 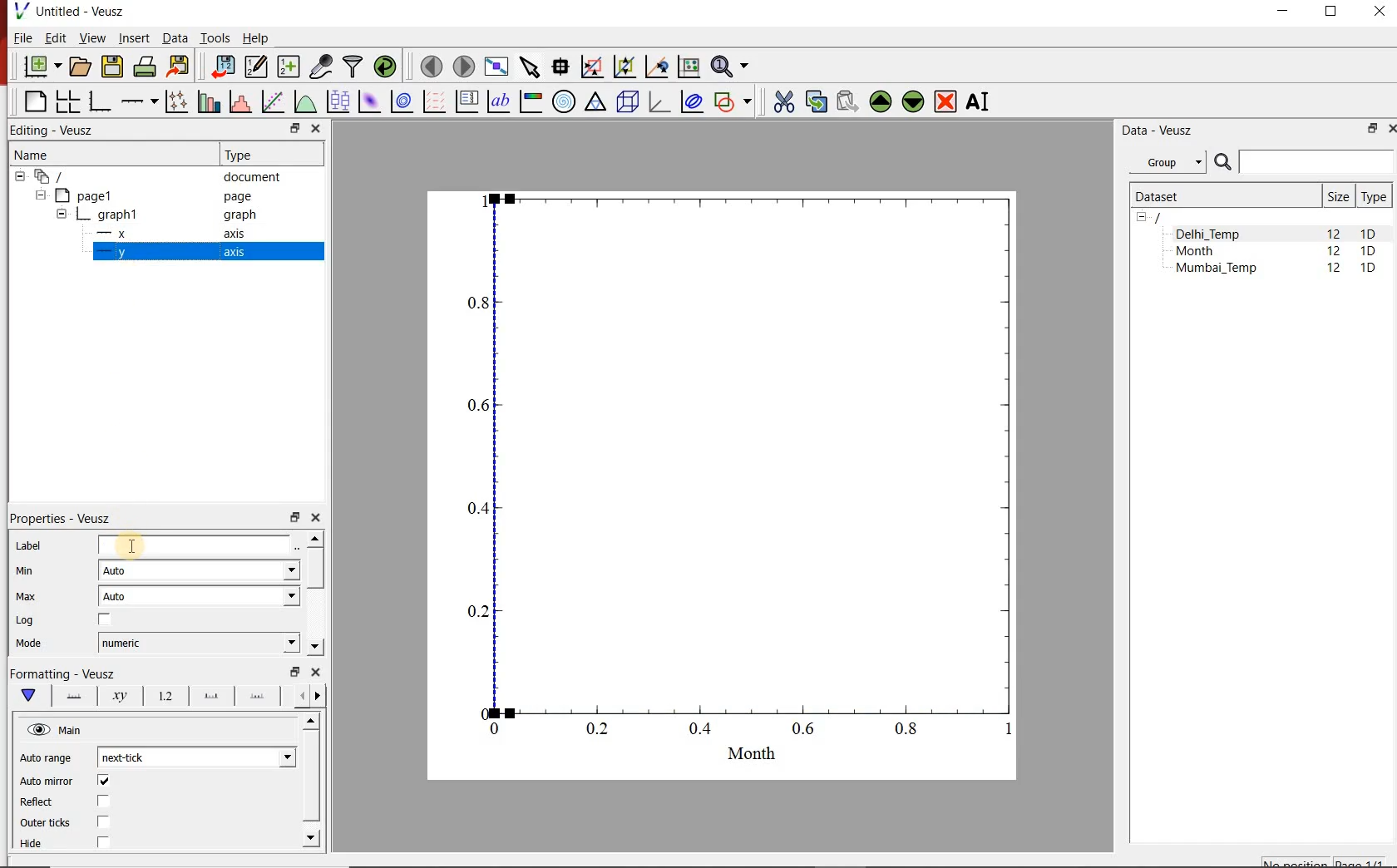 I want to click on plot box plots, so click(x=338, y=101).